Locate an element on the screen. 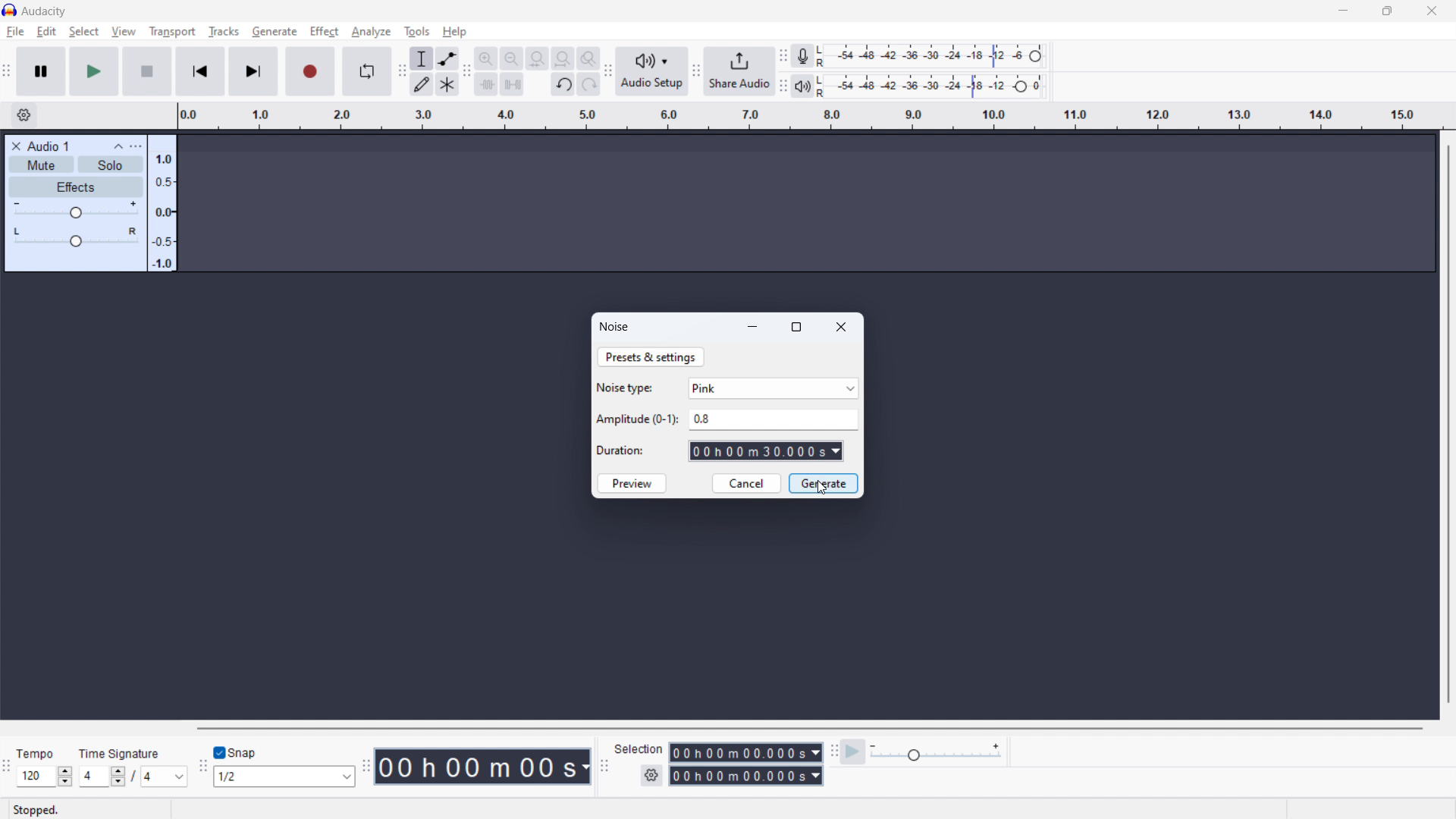 This screenshot has height=819, width=1456. snapping toolbar is located at coordinates (204, 767).